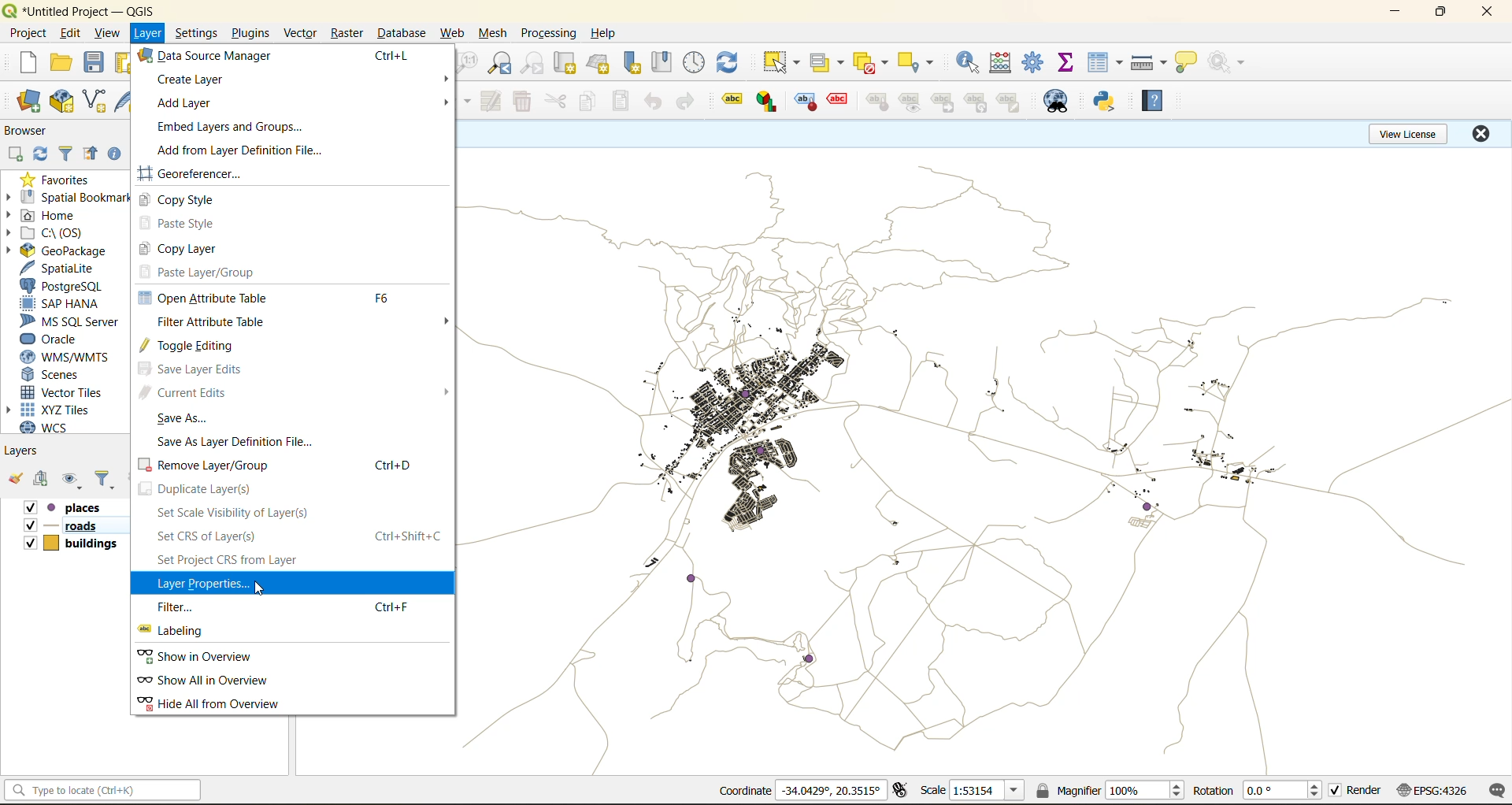 The height and width of the screenshot is (805, 1512). Describe the element at coordinates (71, 302) in the screenshot. I see `sap hana` at that location.